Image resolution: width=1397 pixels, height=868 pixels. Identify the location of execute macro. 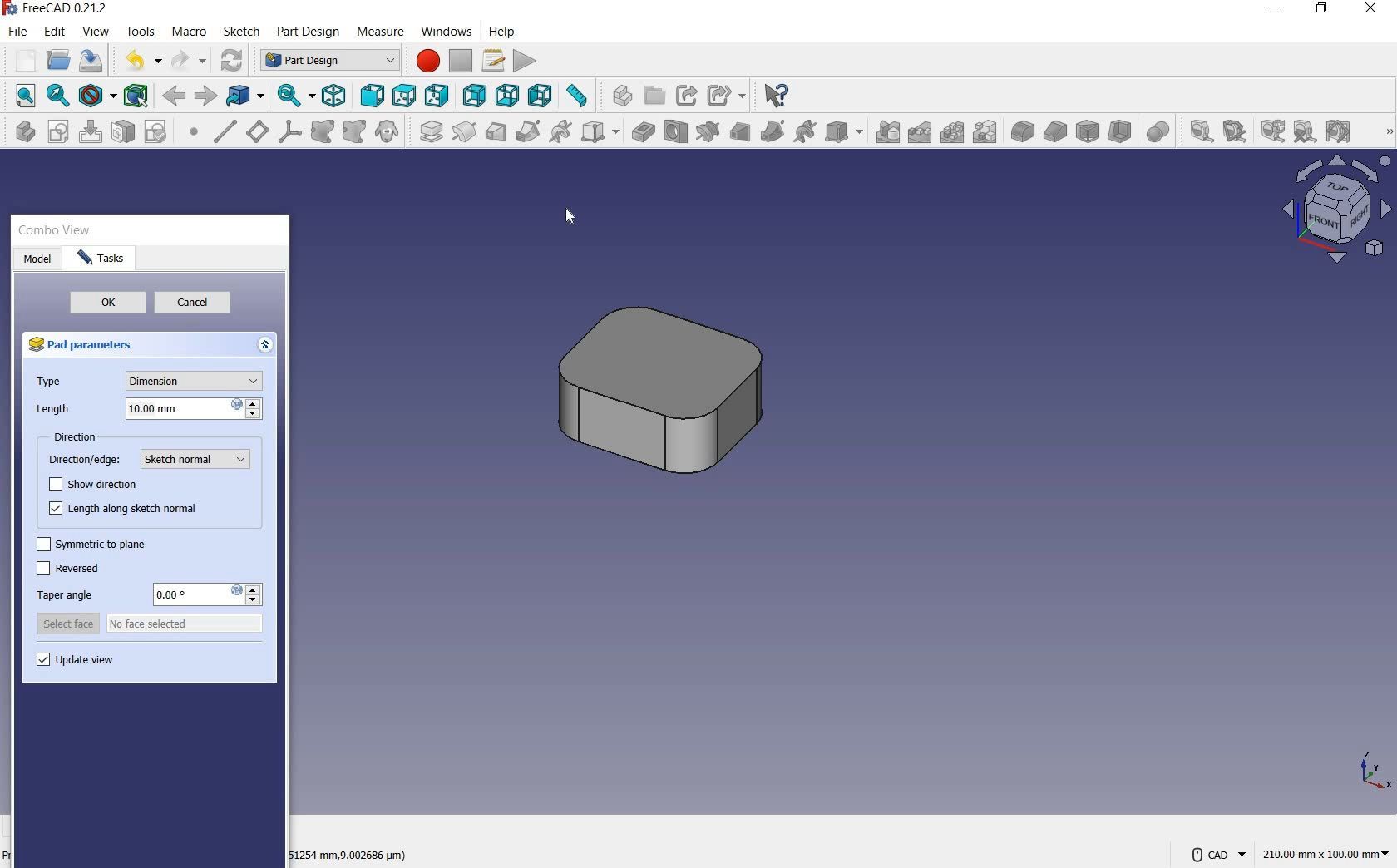
(526, 61).